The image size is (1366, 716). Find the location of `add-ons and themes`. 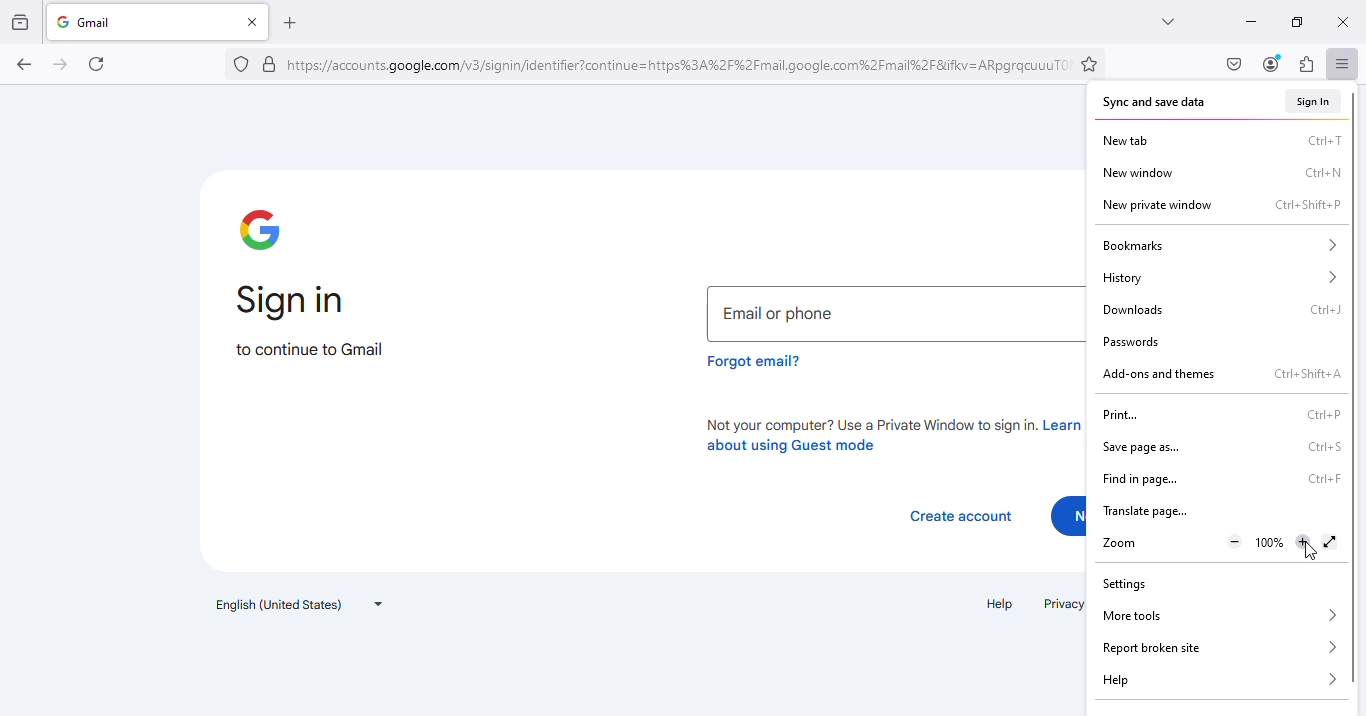

add-ons and themes is located at coordinates (1159, 375).